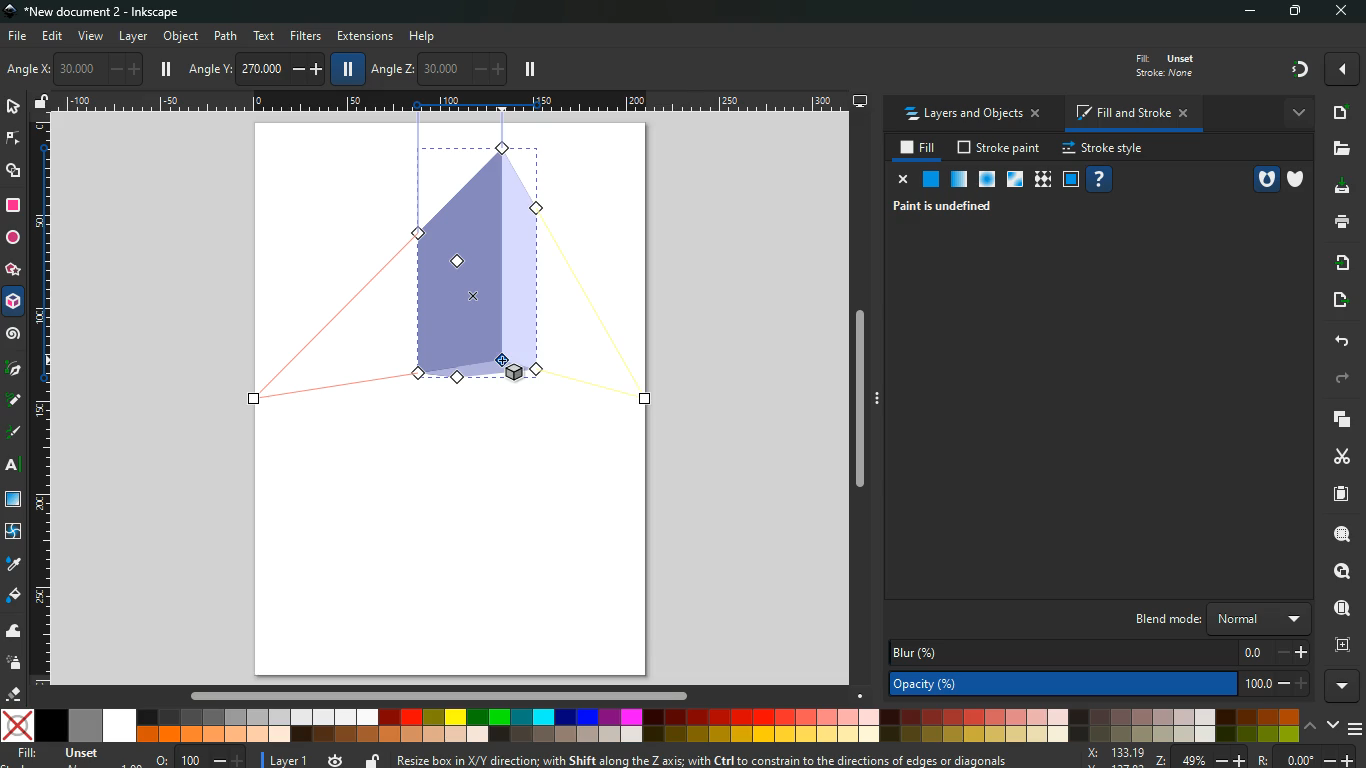 Image resolution: width=1366 pixels, height=768 pixels. What do you see at coordinates (1338, 341) in the screenshot?
I see `back` at bounding box center [1338, 341].